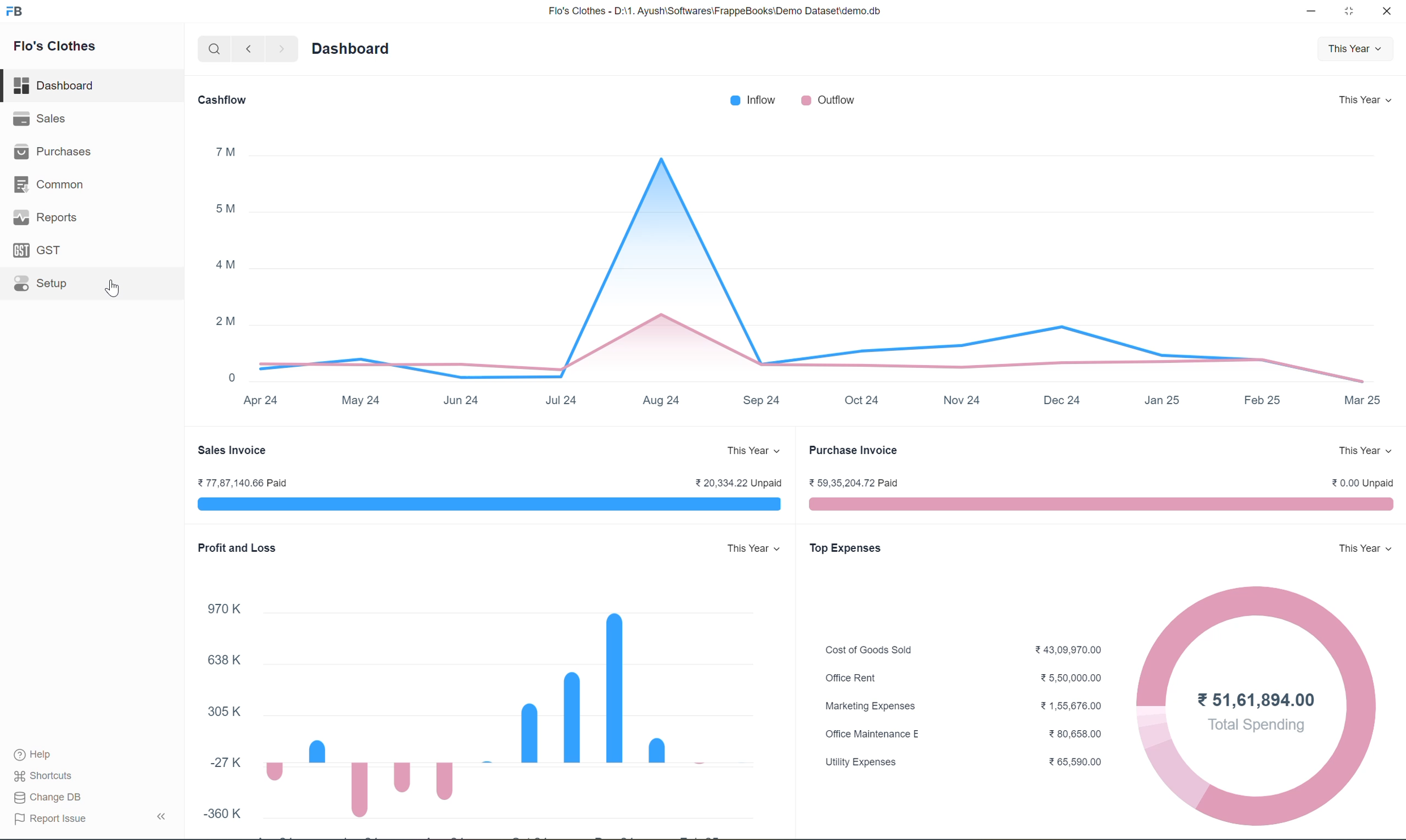  Describe the element at coordinates (350, 49) in the screenshot. I see `Dashboard` at that location.